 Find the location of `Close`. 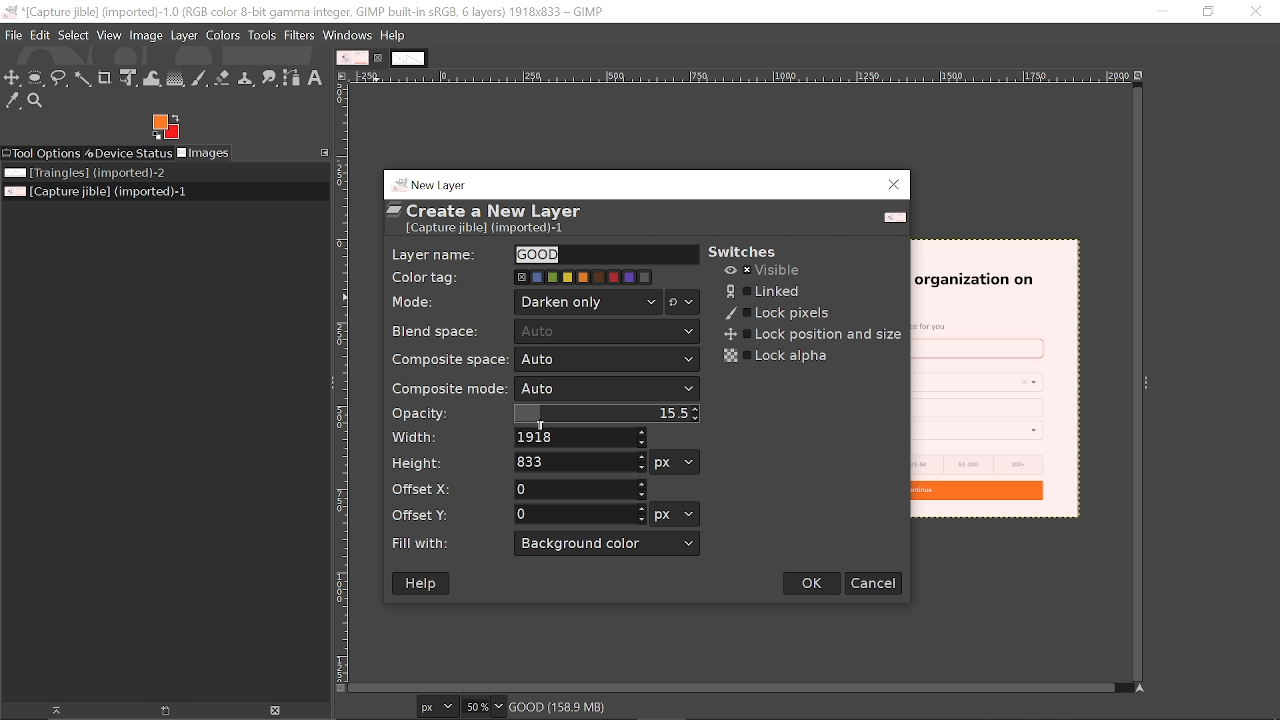

Close is located at coordinates (895, 185).